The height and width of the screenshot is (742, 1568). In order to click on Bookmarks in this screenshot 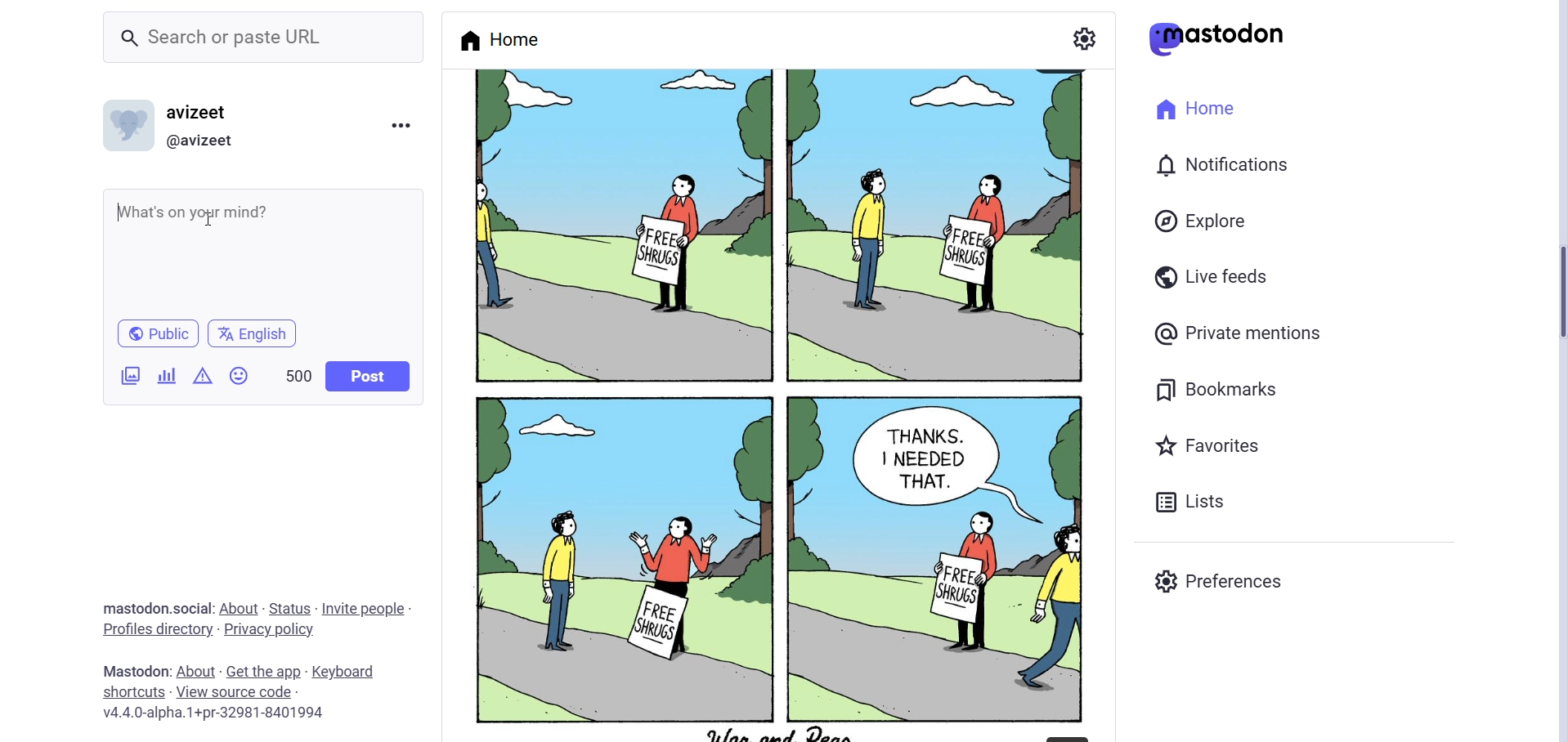, I will do `click(1231, 389)`.